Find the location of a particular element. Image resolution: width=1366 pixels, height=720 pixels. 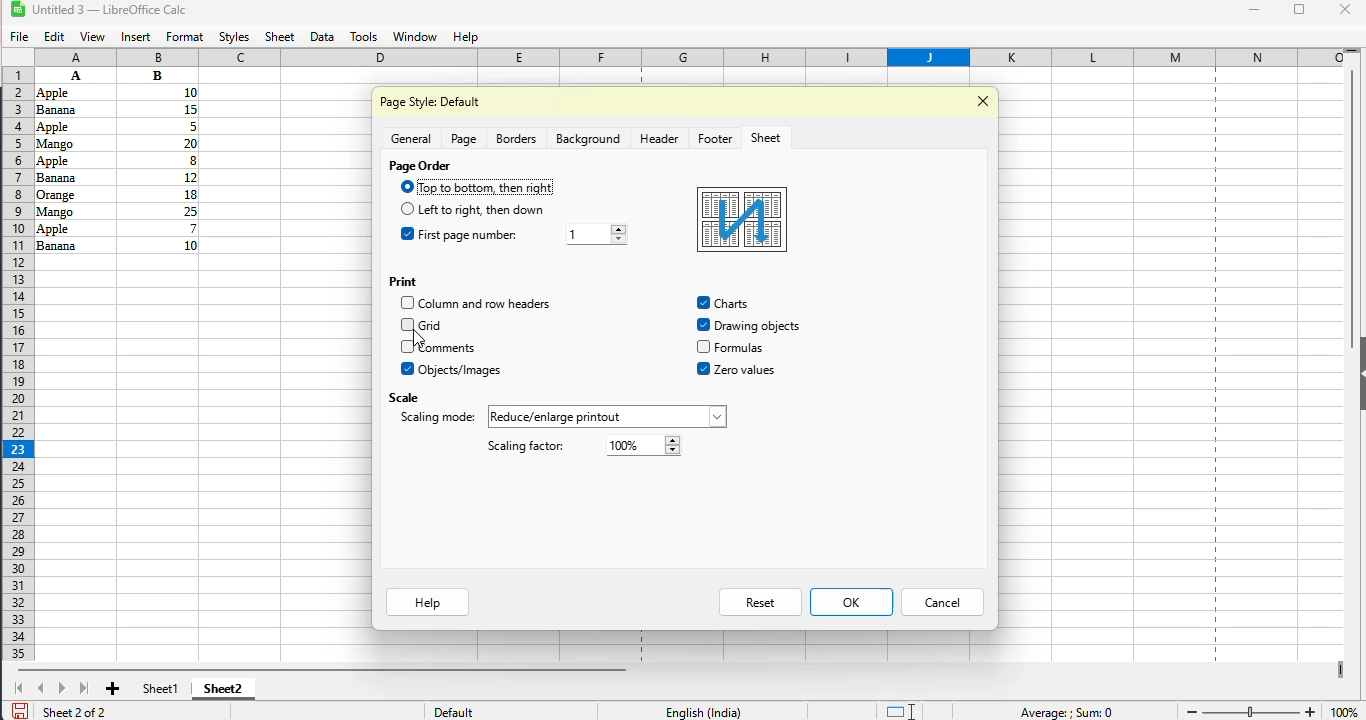

sheet 2 of 2 is located at coordinates (73, 711).